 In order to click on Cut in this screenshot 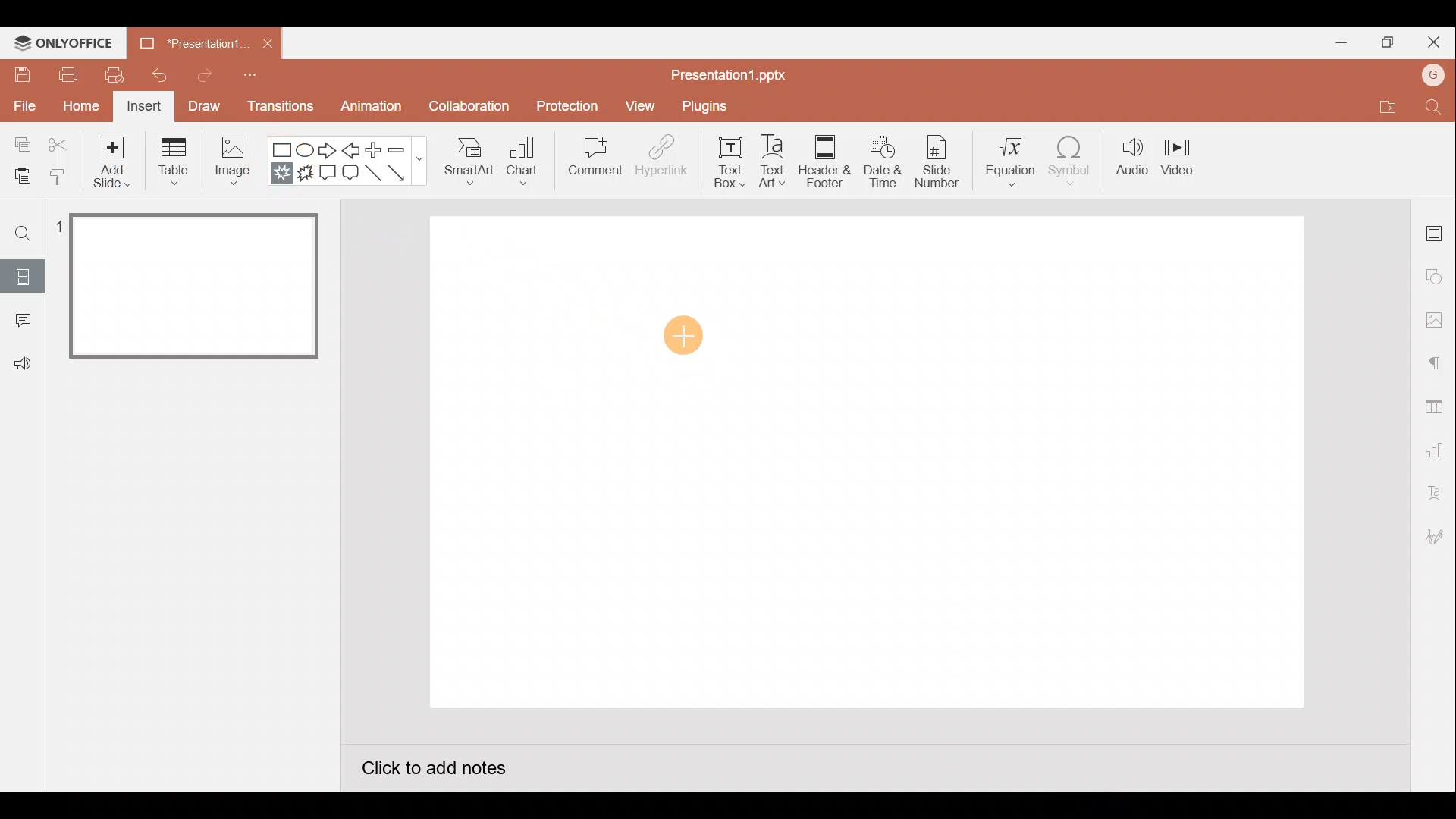, I will do `click(60, 142)`.